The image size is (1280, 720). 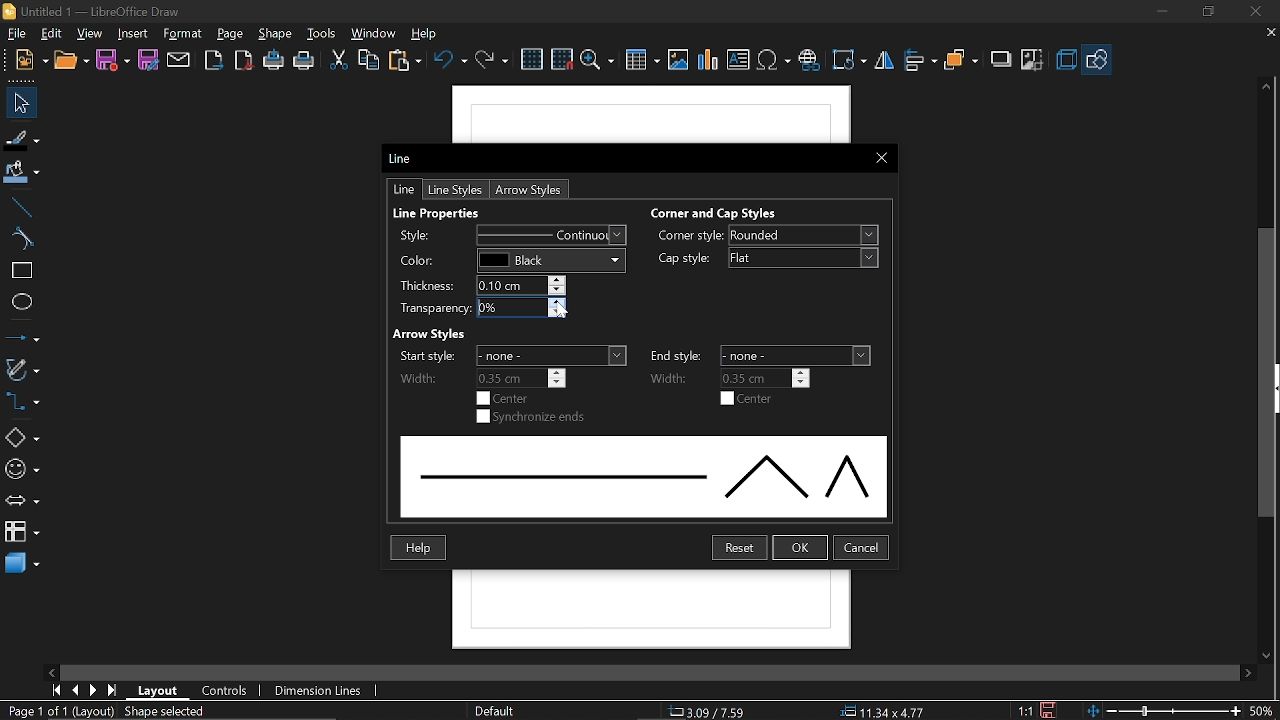 What do you see at coordinates (862, 547) in the screenshot?
I see `Cancel` at bounding box center [862, 547].